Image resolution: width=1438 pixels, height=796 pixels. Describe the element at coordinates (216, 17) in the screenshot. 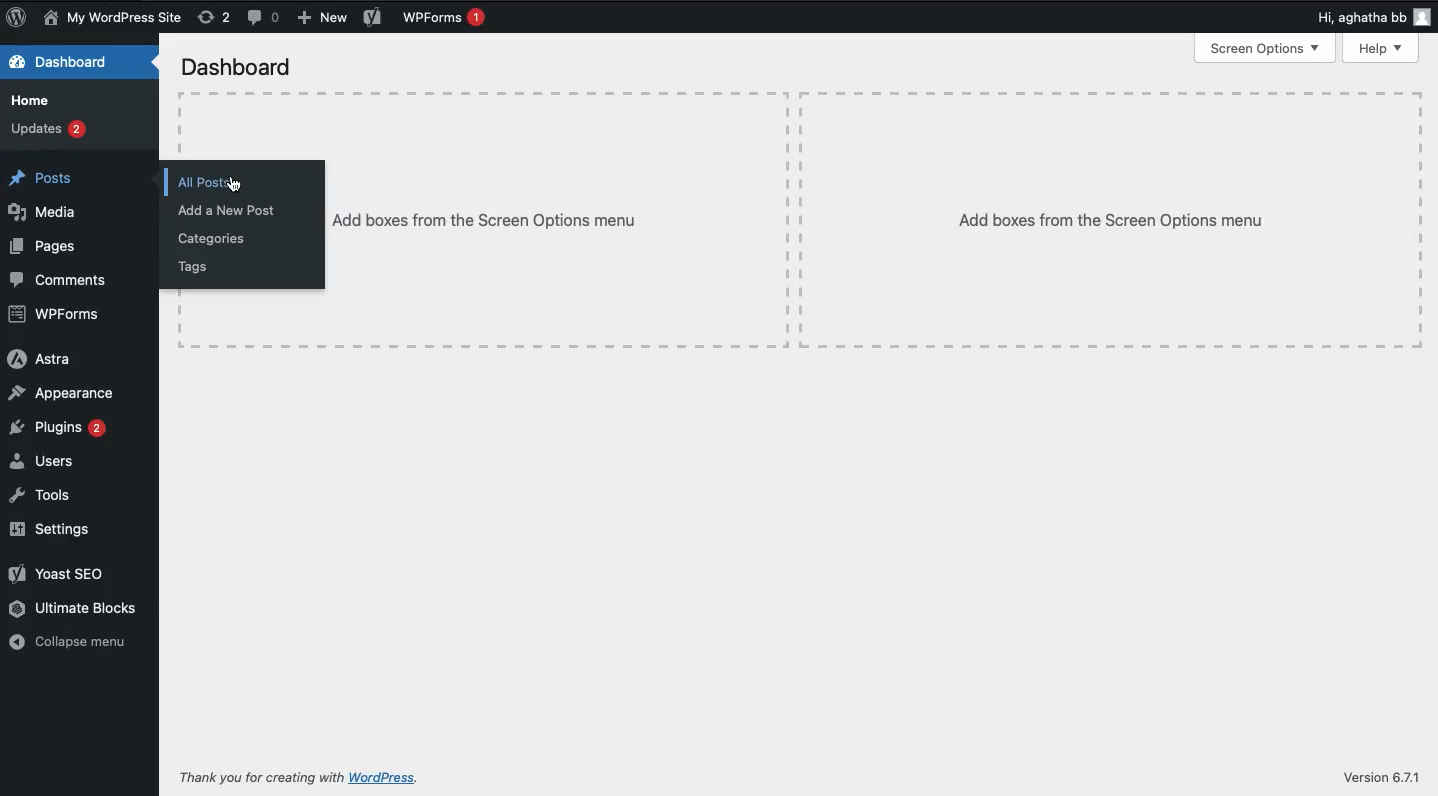

I see `Revisions` at that location.